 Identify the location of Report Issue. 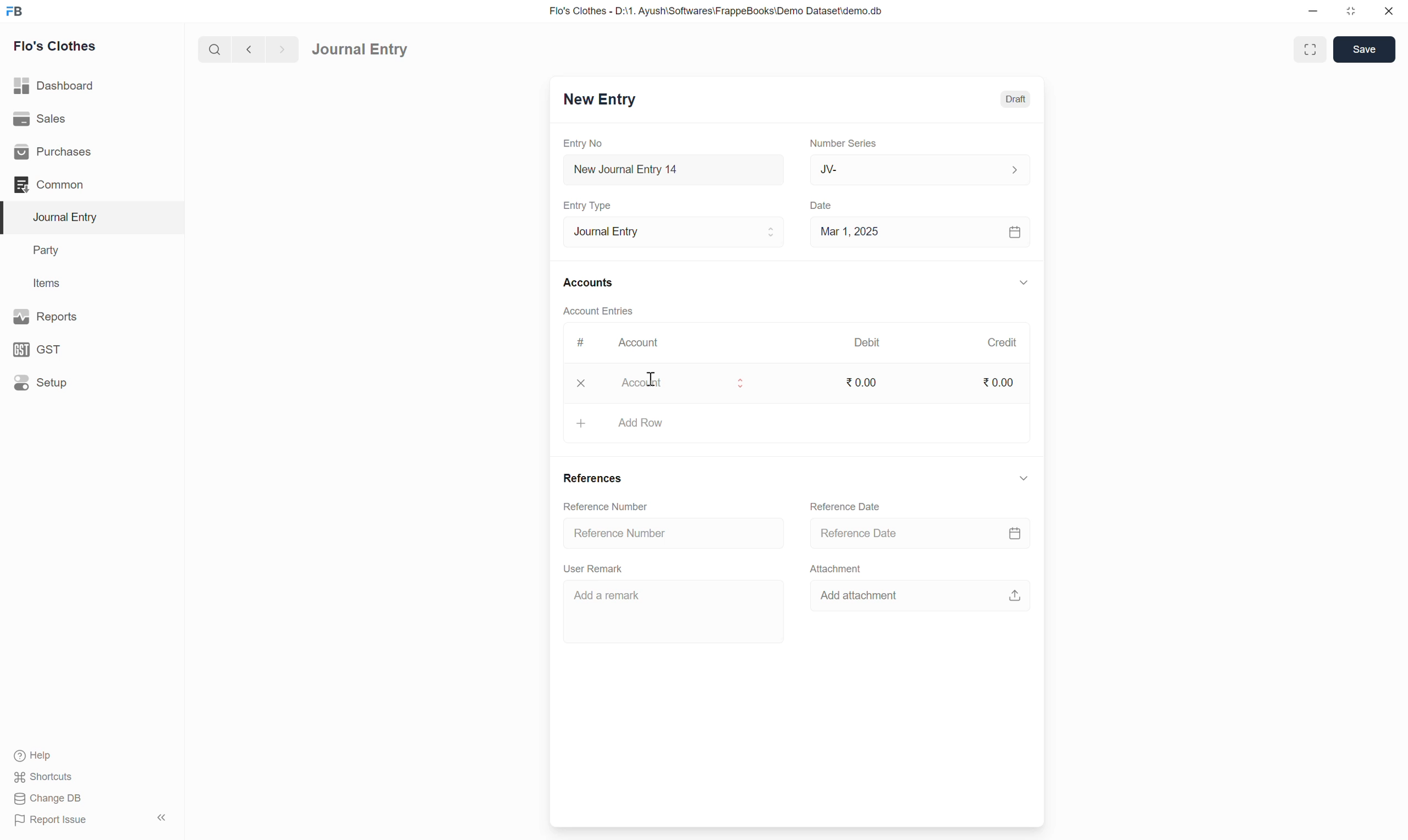
(55, 821).